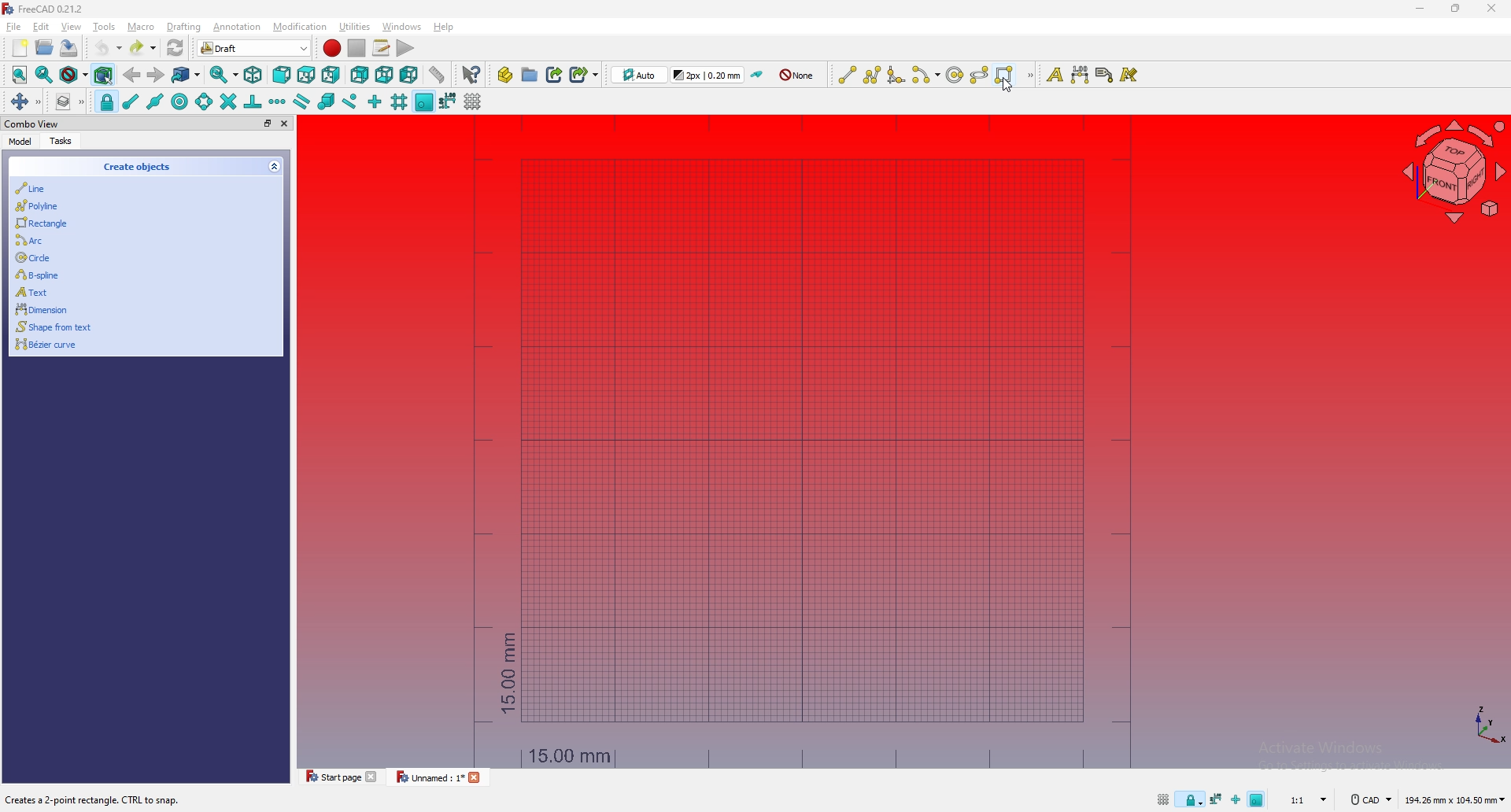 This screenshot has width=1511, height=812. Describe the element at coordinates (1486, 724) in the screenshot. I see `axis` at that location.